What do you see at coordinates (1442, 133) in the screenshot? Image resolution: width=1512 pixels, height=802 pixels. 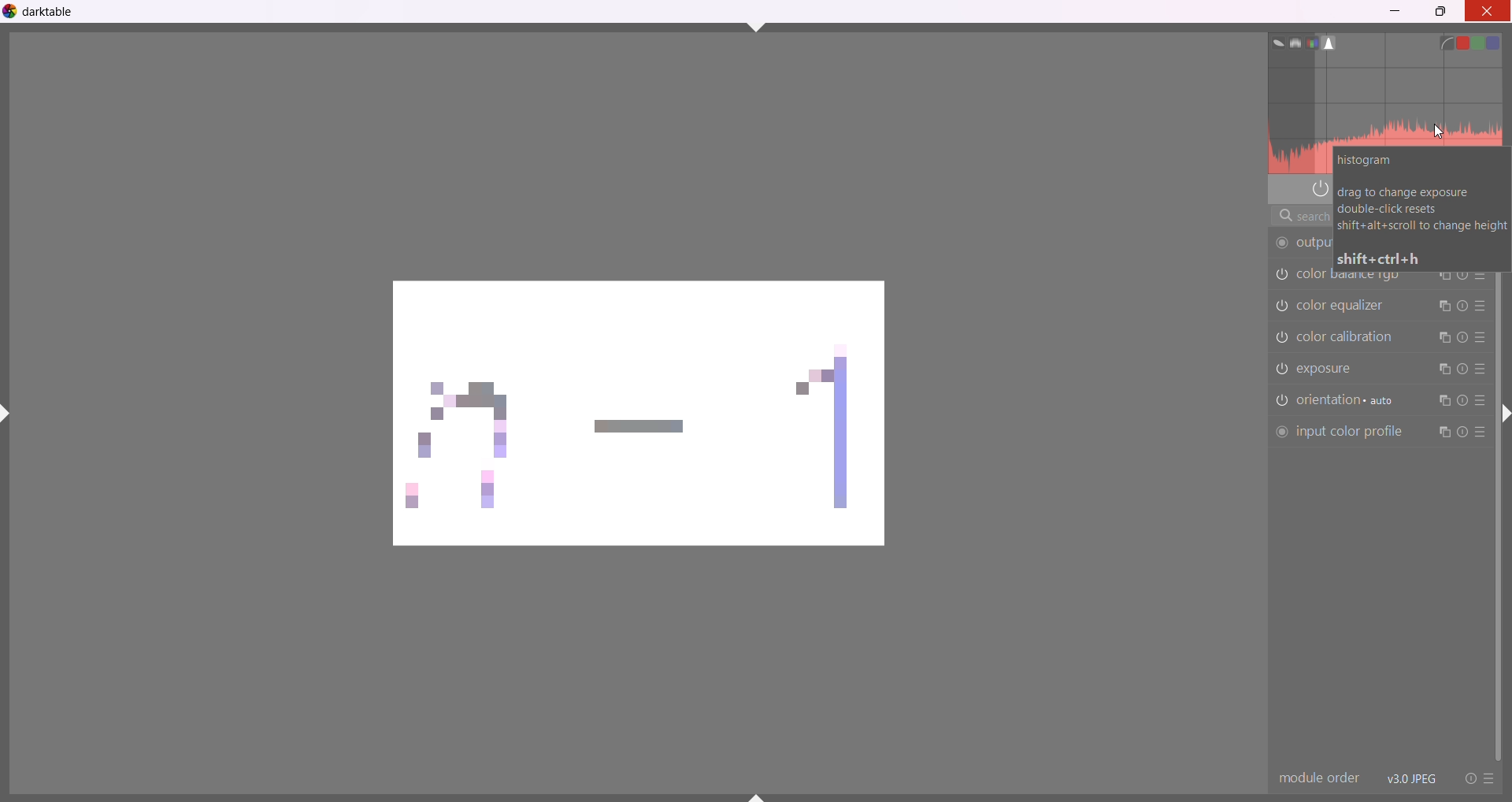 I see `cursor` at bounding box center [1442, 133].